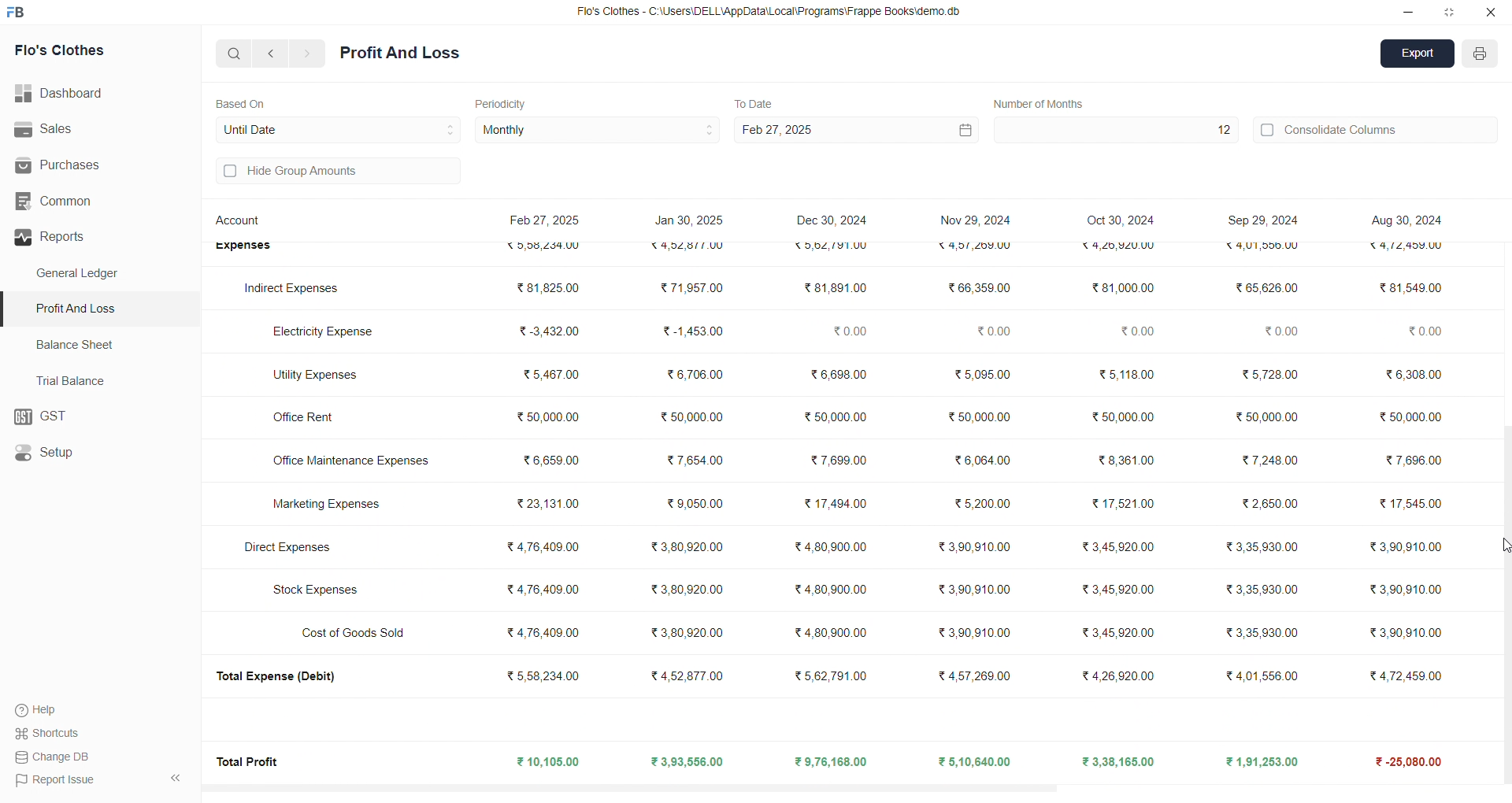 The image size is (1512, 803). What do you see at coordinates (549, 246) in the screenshot?
I see `₹5,58,234.00` at bounding box center [549, 246].